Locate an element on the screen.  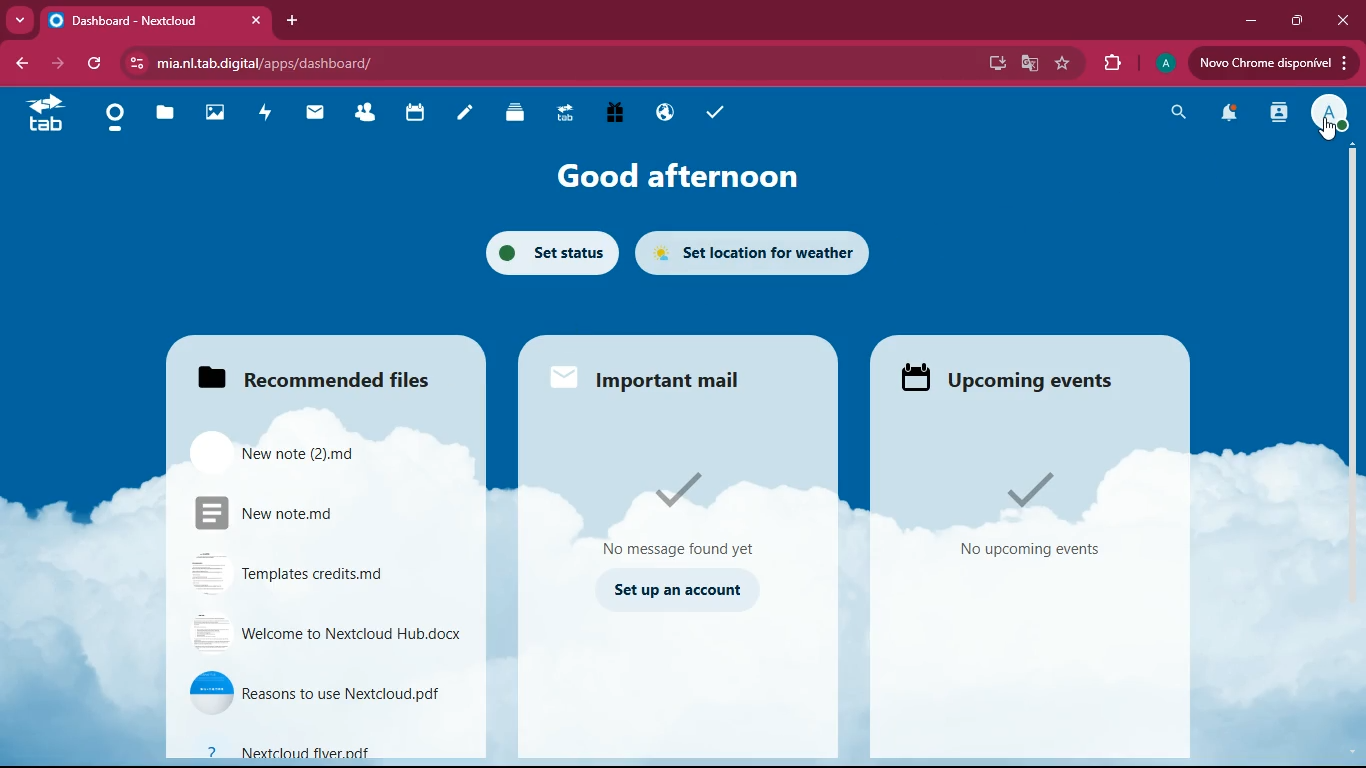
forward is located at coordinates (50, 64).